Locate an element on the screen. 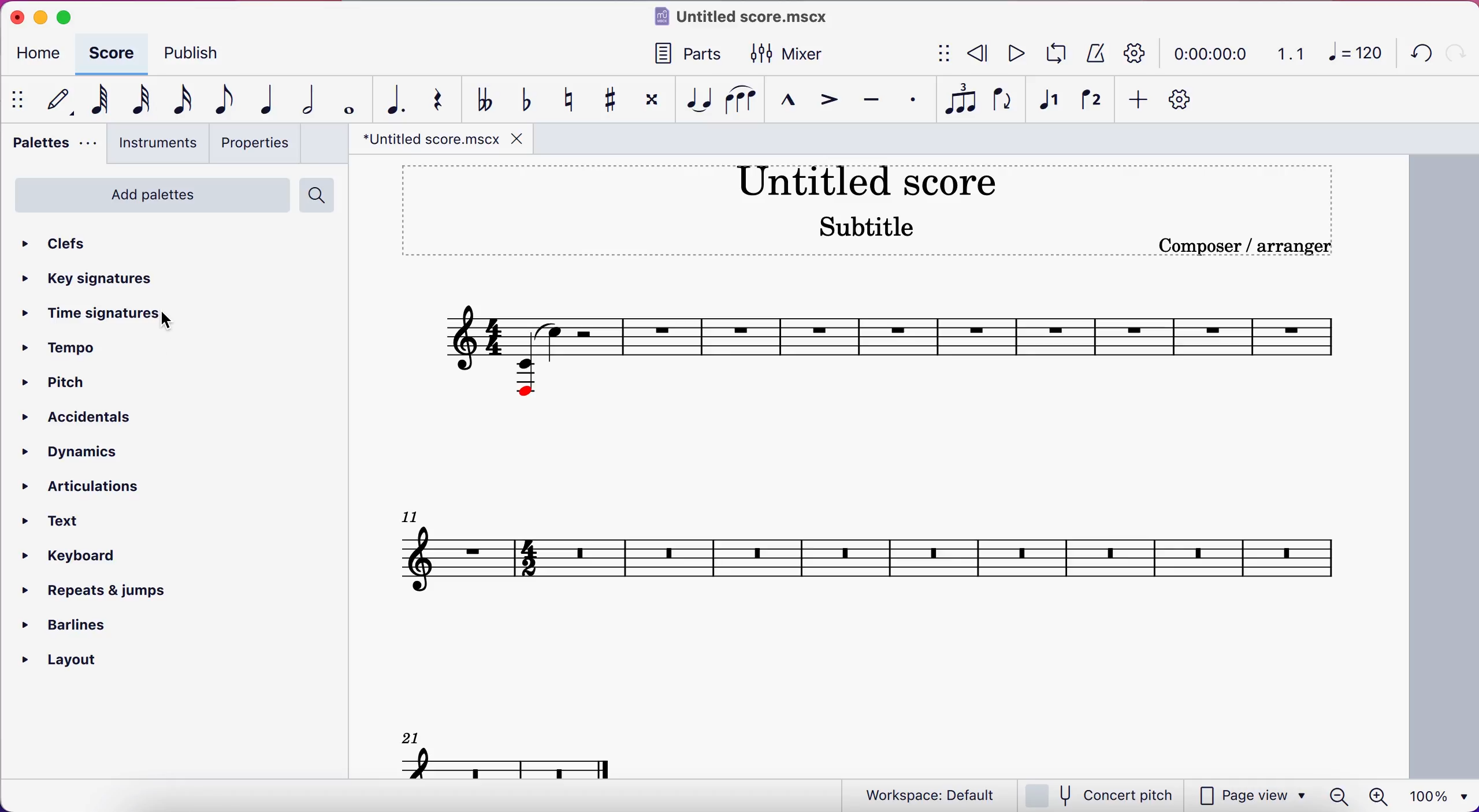 Image resolution: width=1479 pixels, height=812 pixels. barlines is located at coordinates (64, 625).